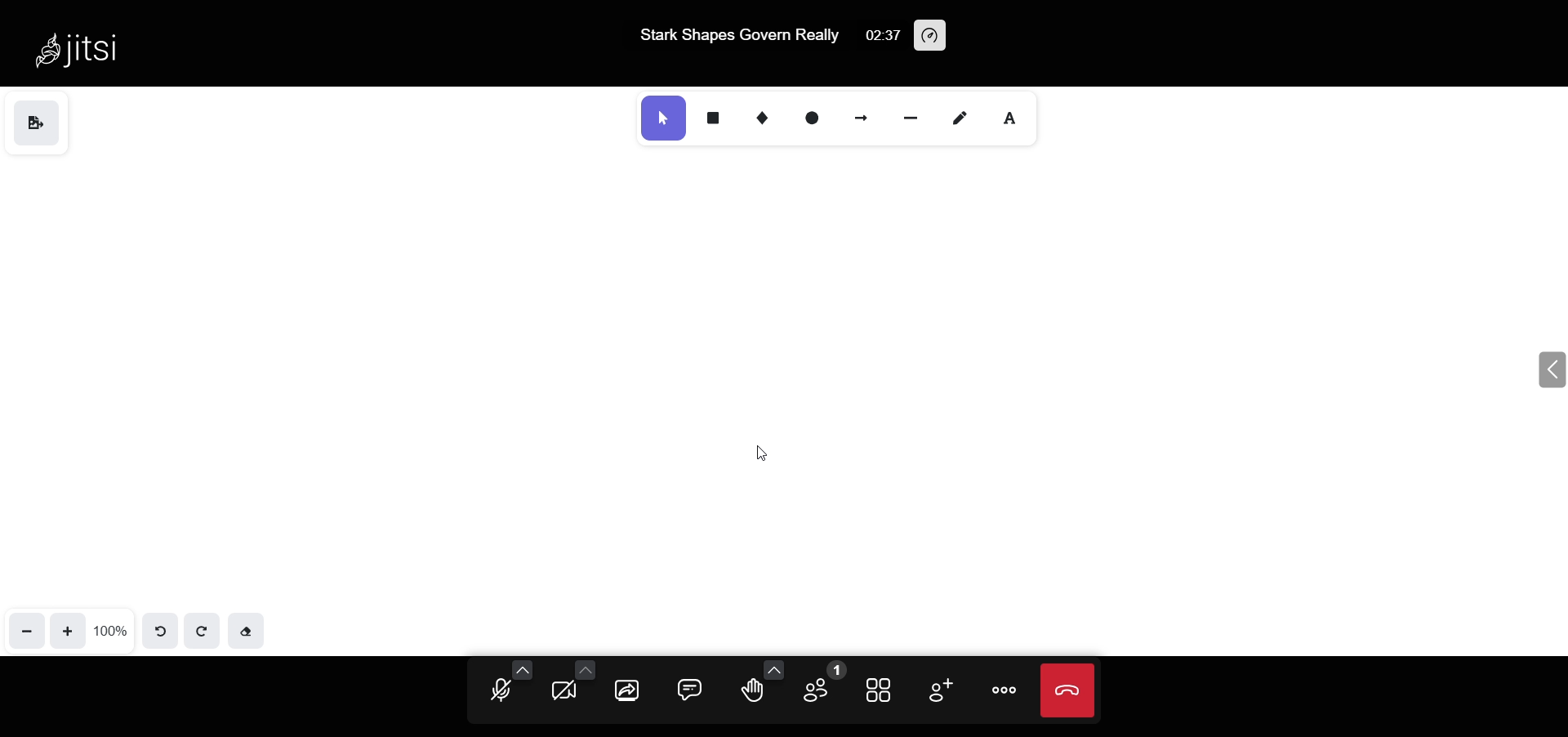 The height and width of the screenshot is (737, 1568). What do you see at coordinates (500, 692) in the screenshot?
I see `microphone` at bounding box center [500, 692].